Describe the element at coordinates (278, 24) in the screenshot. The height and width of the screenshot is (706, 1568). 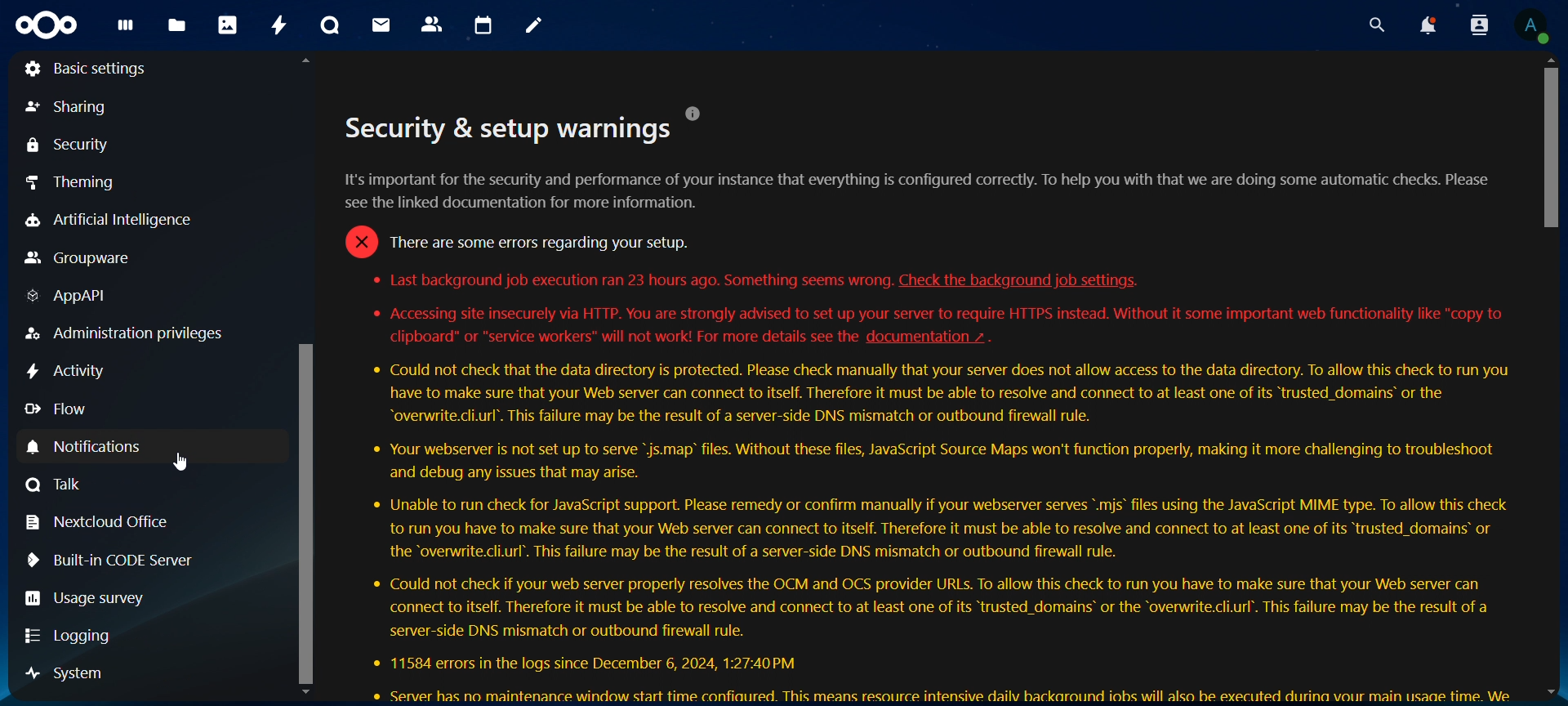
I see `activity` at that location.